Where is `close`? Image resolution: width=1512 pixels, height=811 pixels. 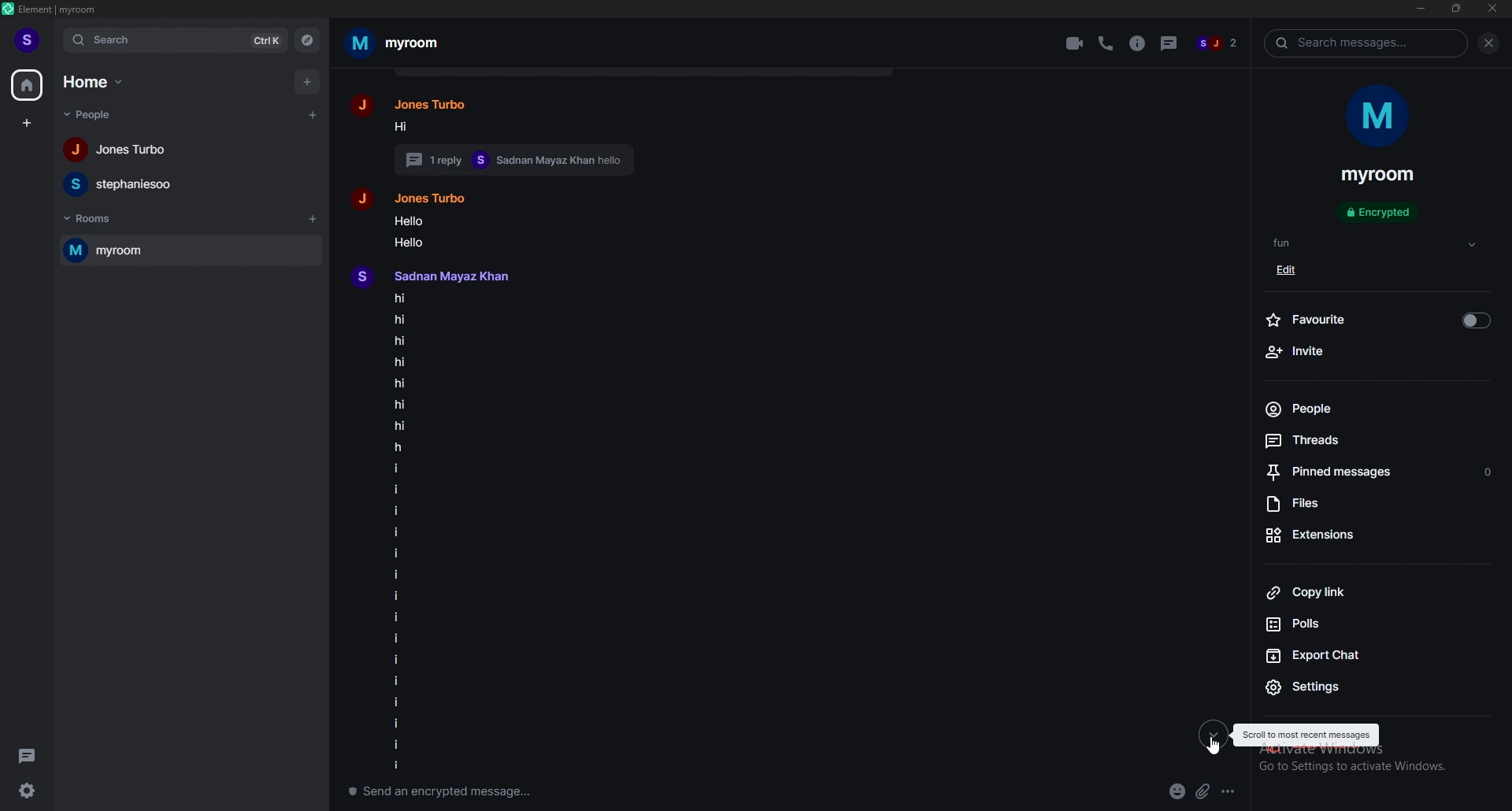 close is located at coordinates (1492, 8).